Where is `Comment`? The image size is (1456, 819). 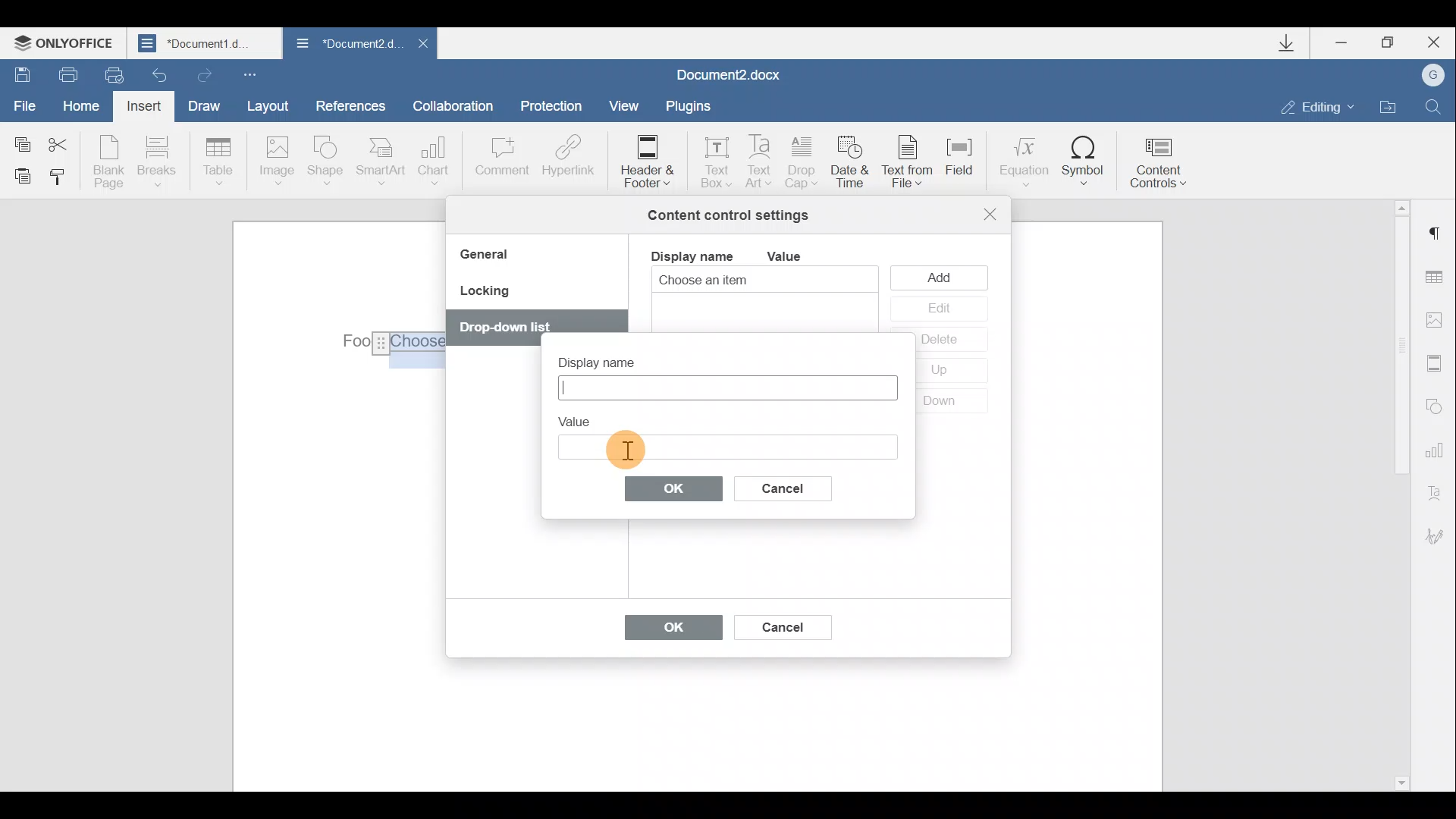 Comment is located at coordinates (501, 164).